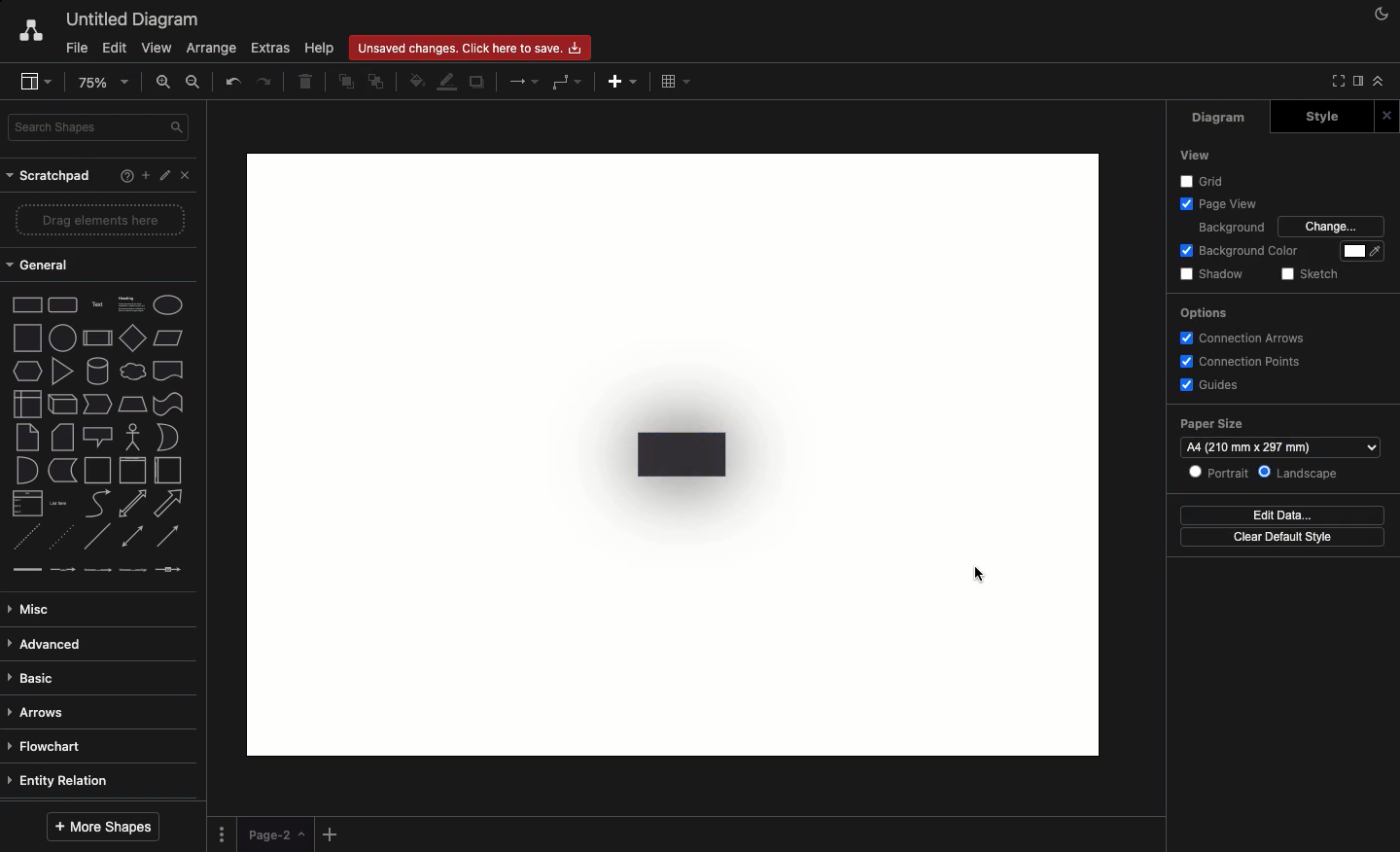 Image resolution: width=1400 pixels, height=852 pixels. I want to click on hexagon, so click(24, 371).